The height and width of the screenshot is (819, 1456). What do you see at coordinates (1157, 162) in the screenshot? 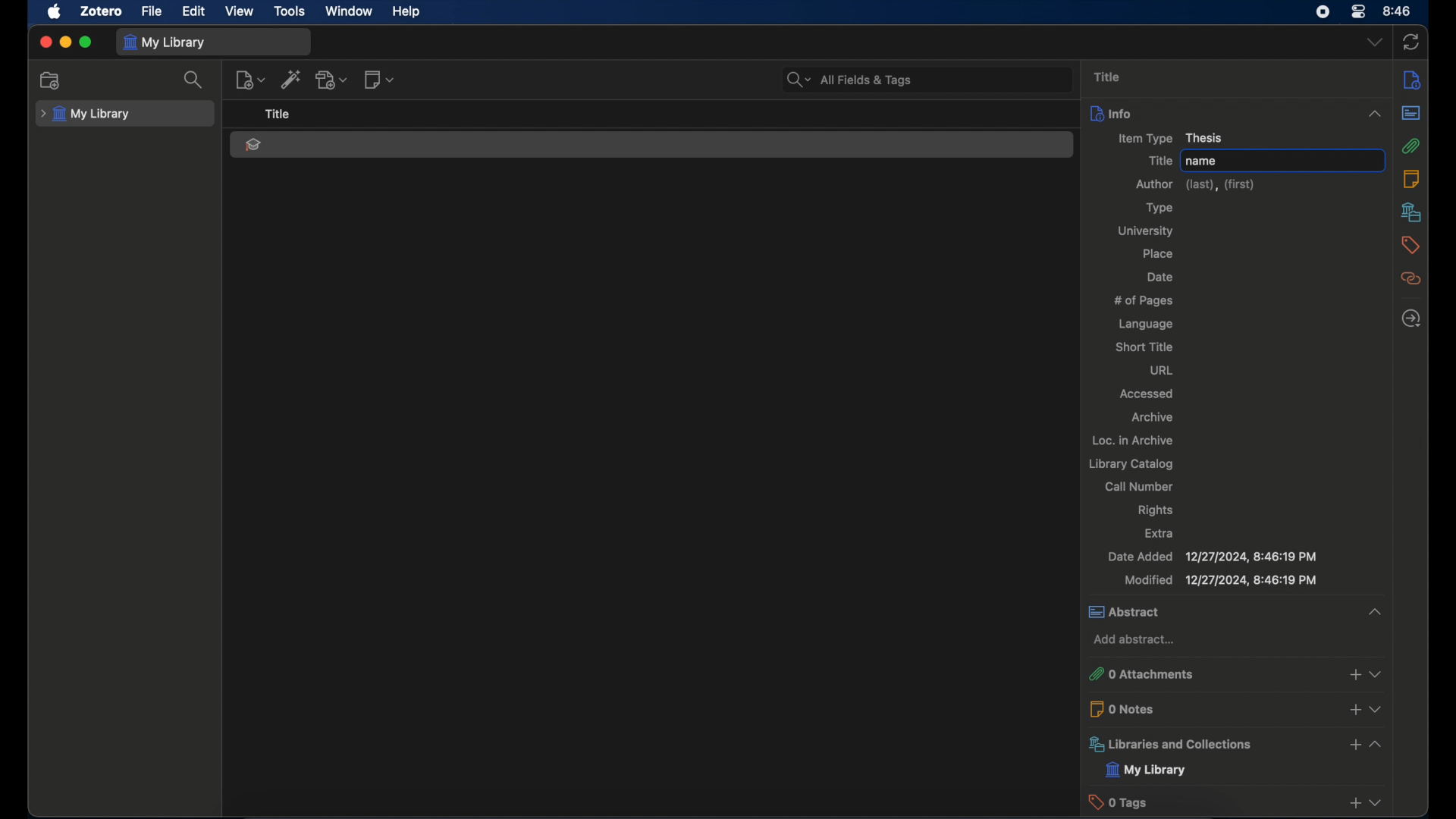
I see `title` at bounding box center [1157, 162].